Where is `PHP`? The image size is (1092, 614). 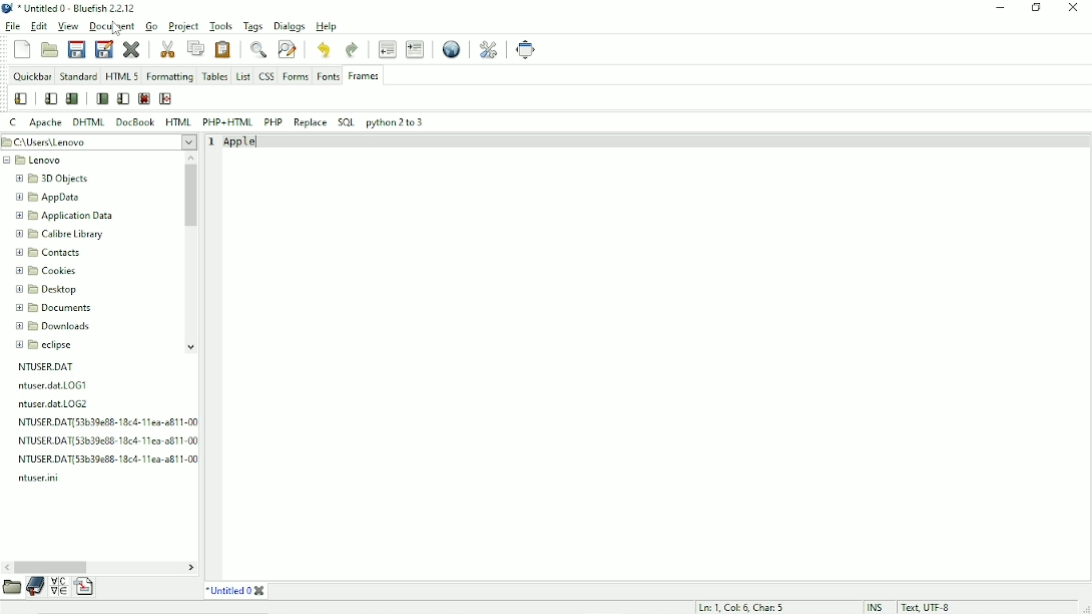
PHP is located at coordinates (272, 121).